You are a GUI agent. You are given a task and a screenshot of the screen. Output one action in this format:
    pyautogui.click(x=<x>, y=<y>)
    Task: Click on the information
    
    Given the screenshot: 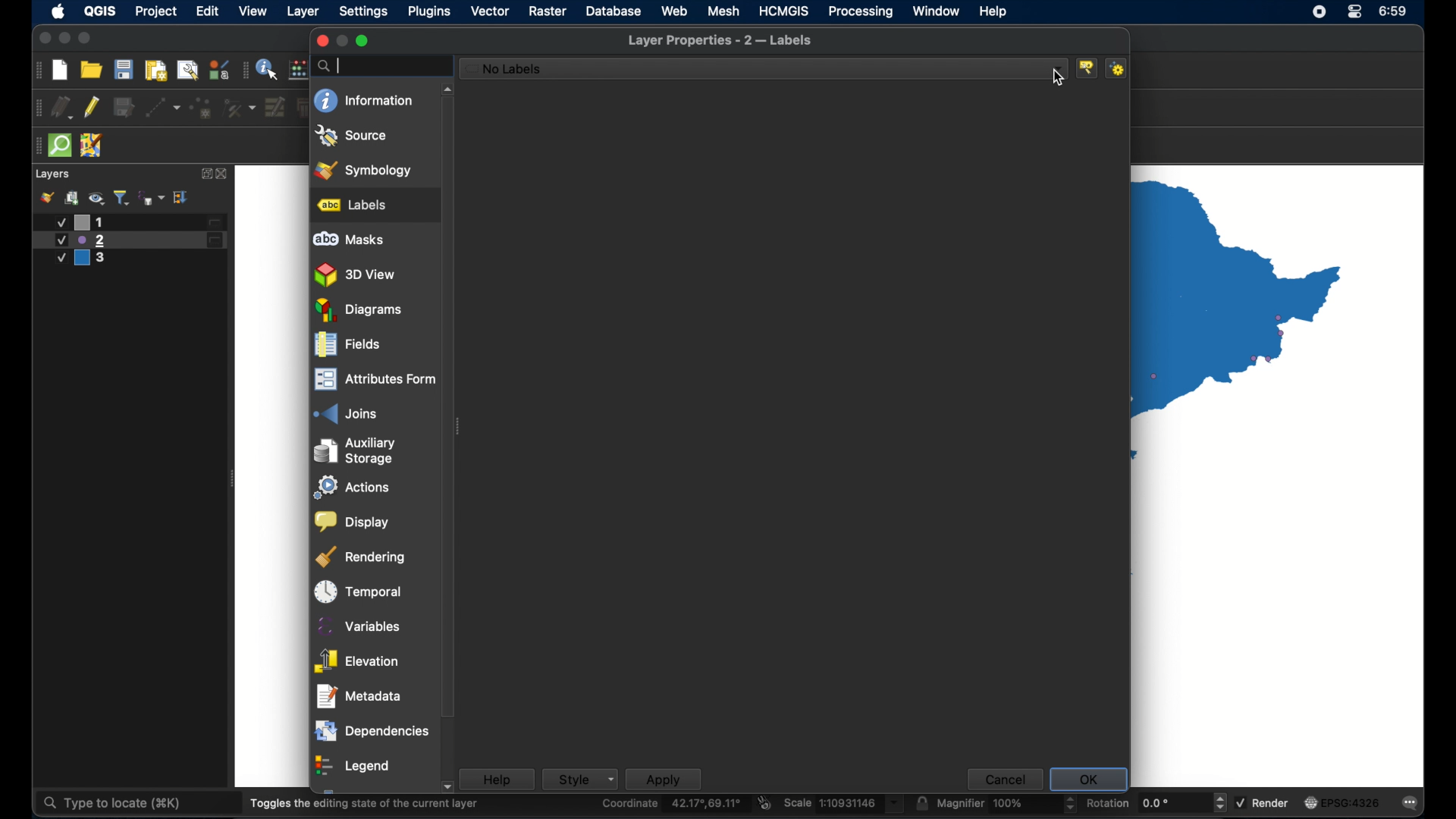 What is the action you would take?
    pyautogui.click(x=363, y=100)
    